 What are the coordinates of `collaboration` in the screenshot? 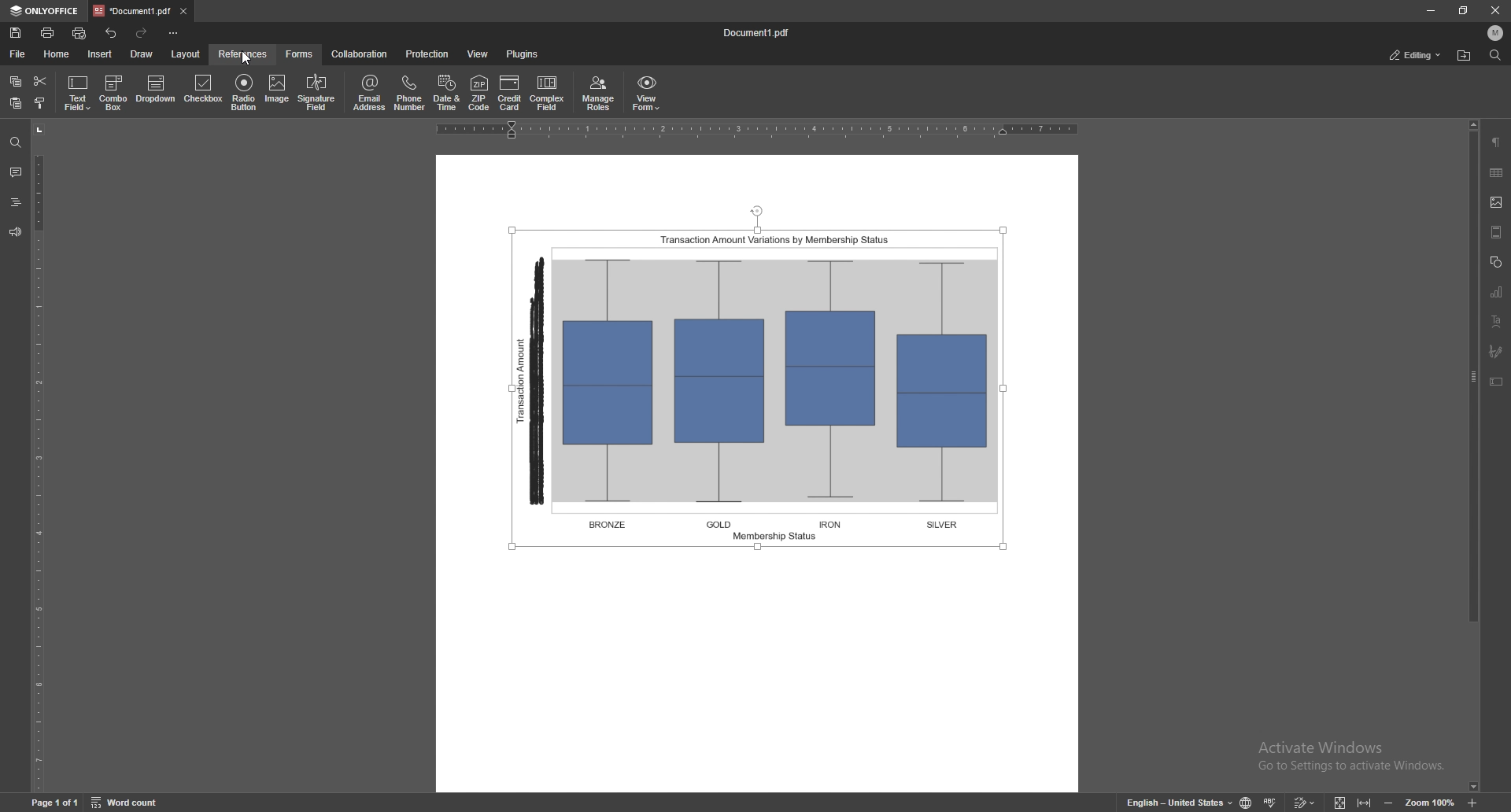 It's located at (360, 54).